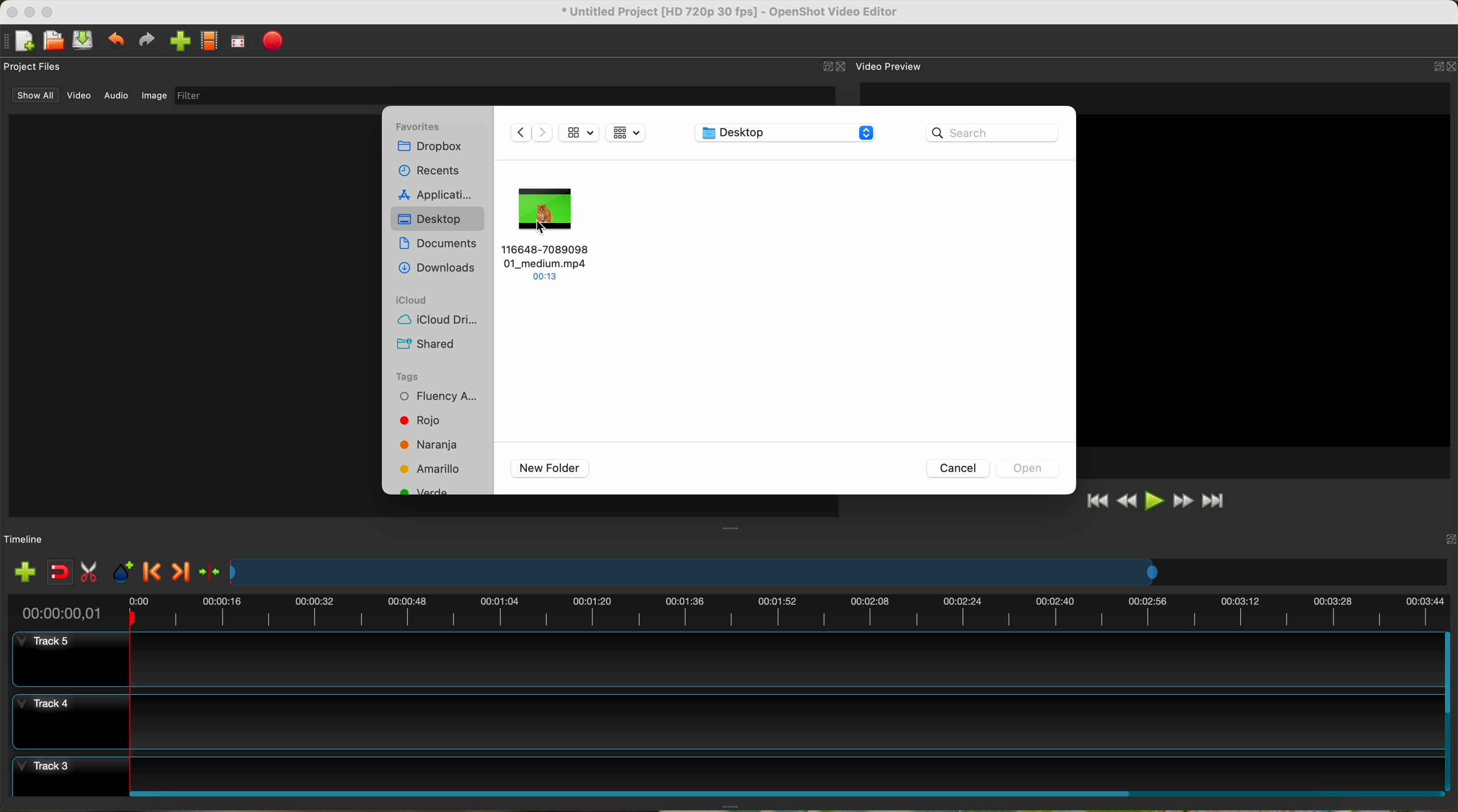 The width and height of the screenshot is (1458, 812). What do you see at coordinates (84, 40) in the screenshot?
I see `save project` at bounding box center [84, 40].